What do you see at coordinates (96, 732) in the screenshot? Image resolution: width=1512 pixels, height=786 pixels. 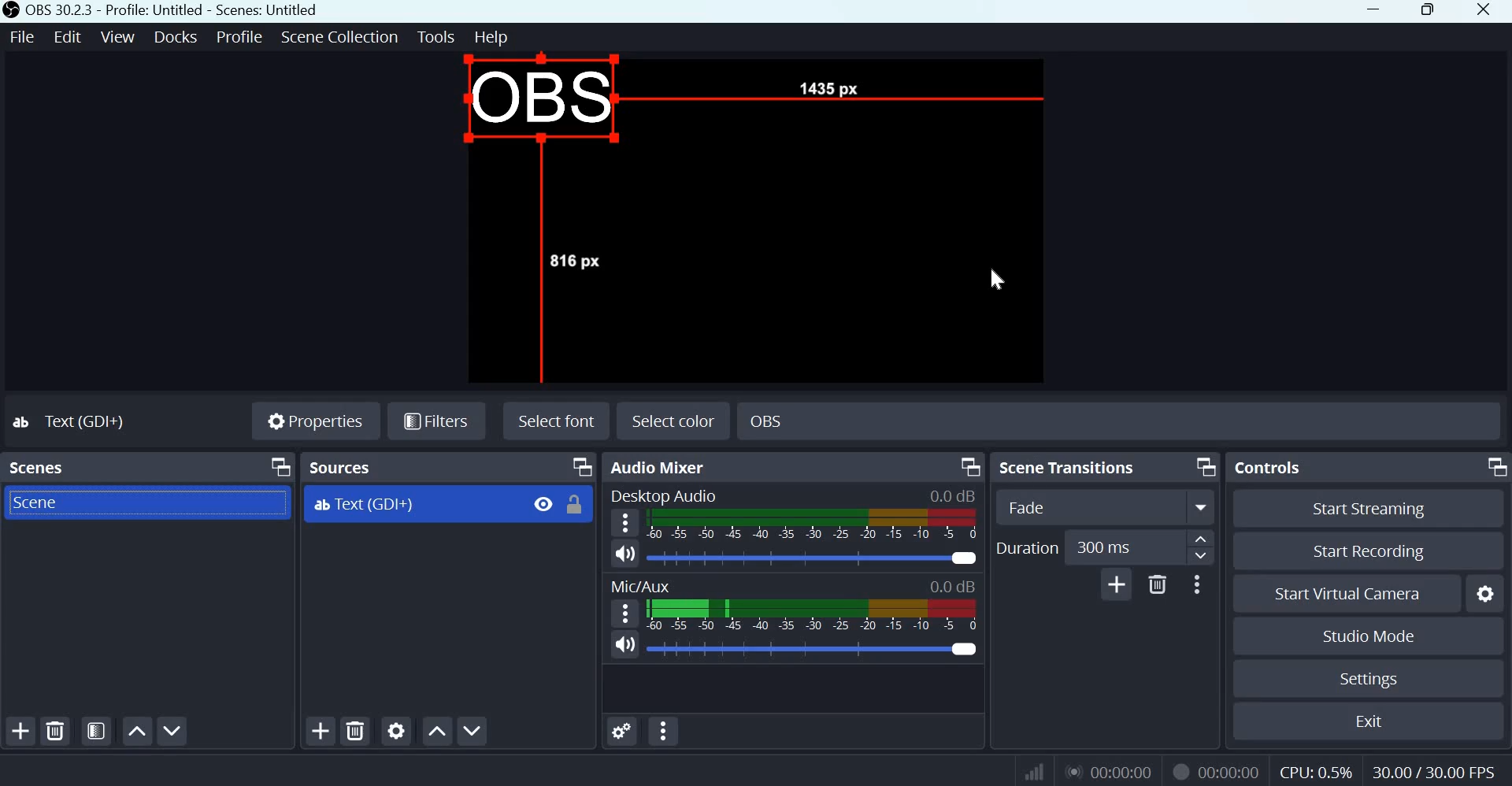 I see `Open scene filters` at bounding box center [96, 732].